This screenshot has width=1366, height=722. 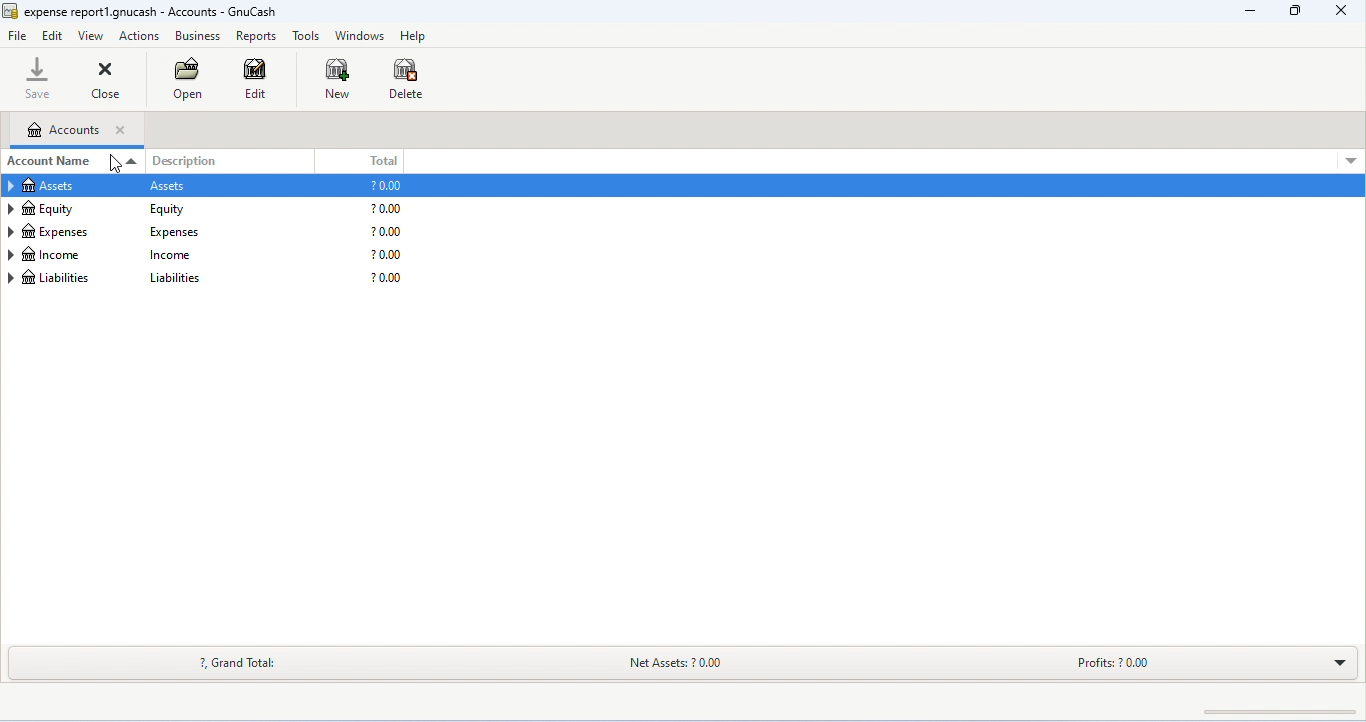 What do you see at coordinates (1351, 159) in the screenshot?
I see `down` at bounding box center [1351, 159].